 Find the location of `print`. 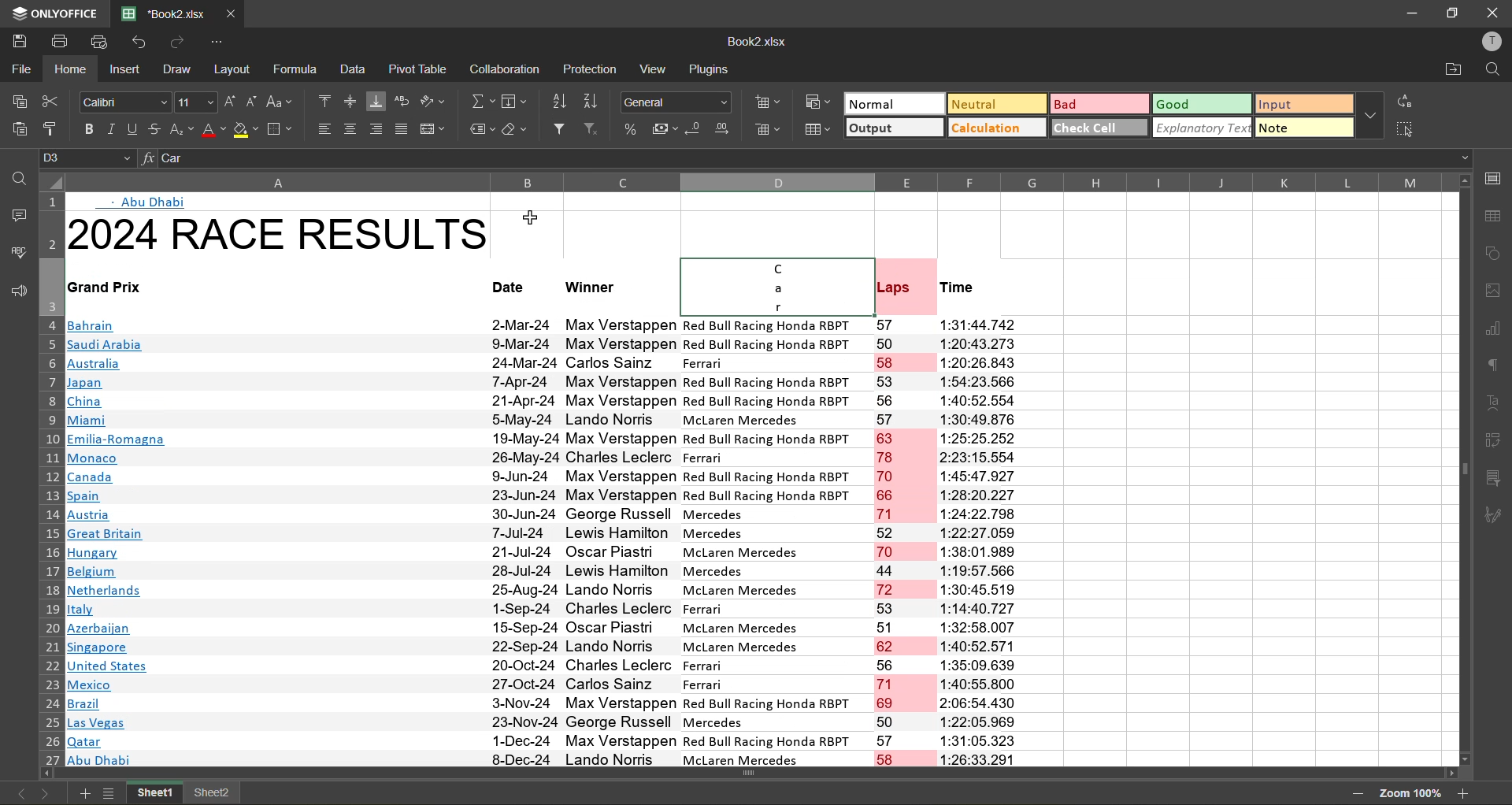

print is located at coordinates (60, 43).